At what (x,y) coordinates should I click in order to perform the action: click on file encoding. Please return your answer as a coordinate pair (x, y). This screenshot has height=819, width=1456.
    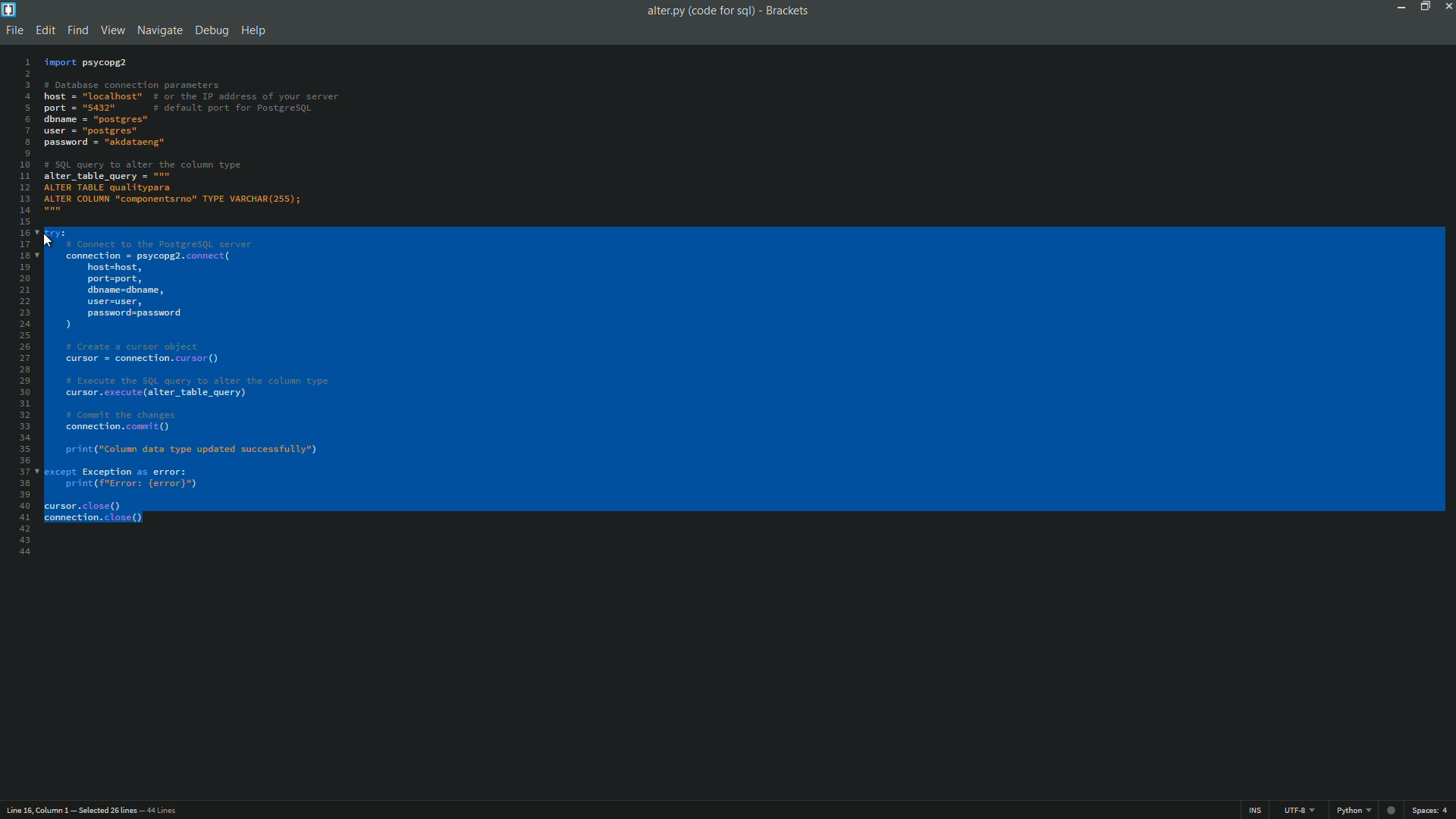
    Looking at the image, I should click on (1298, 811).